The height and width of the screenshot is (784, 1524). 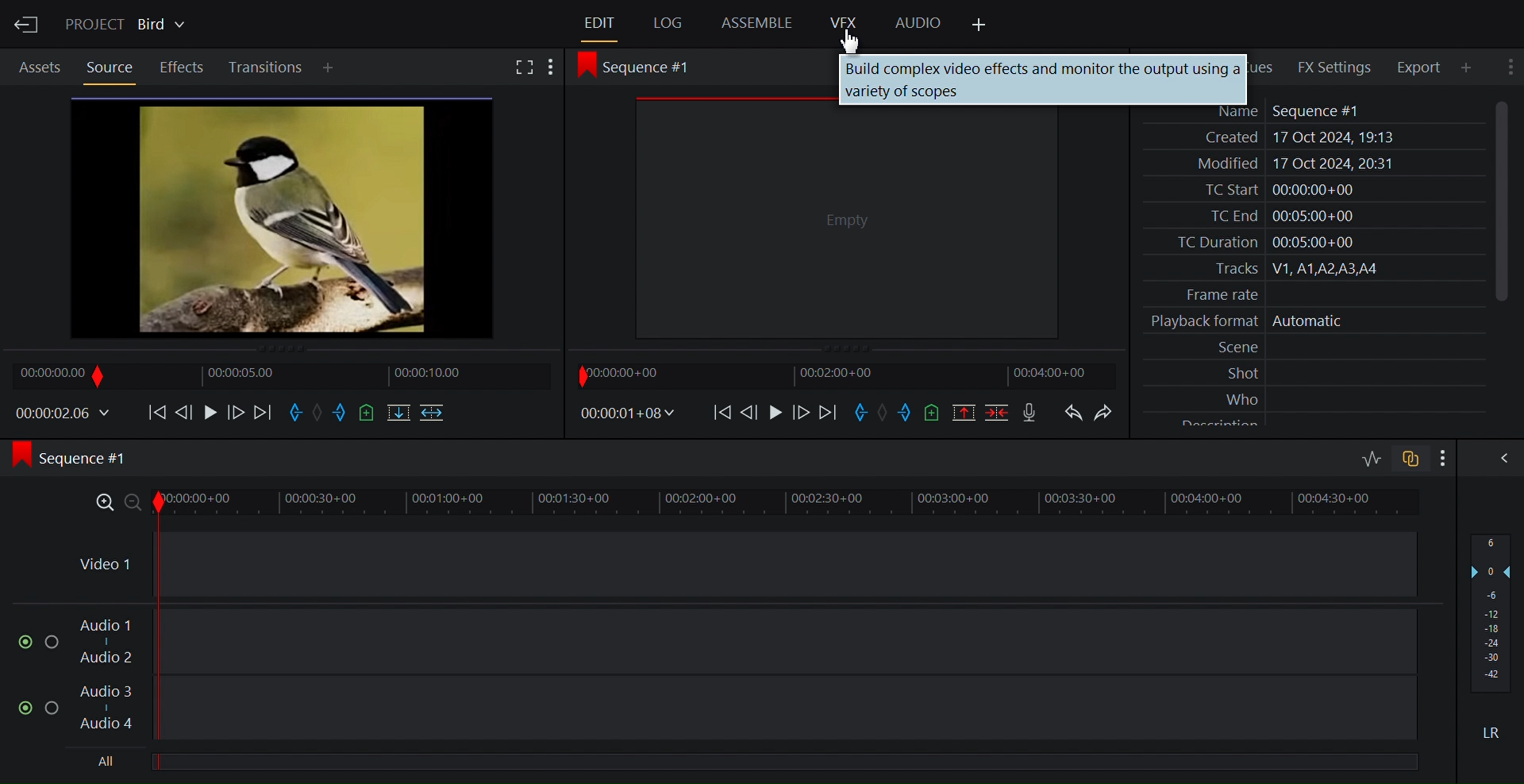 I want to click on Move forward, so click(x=829, y=412).